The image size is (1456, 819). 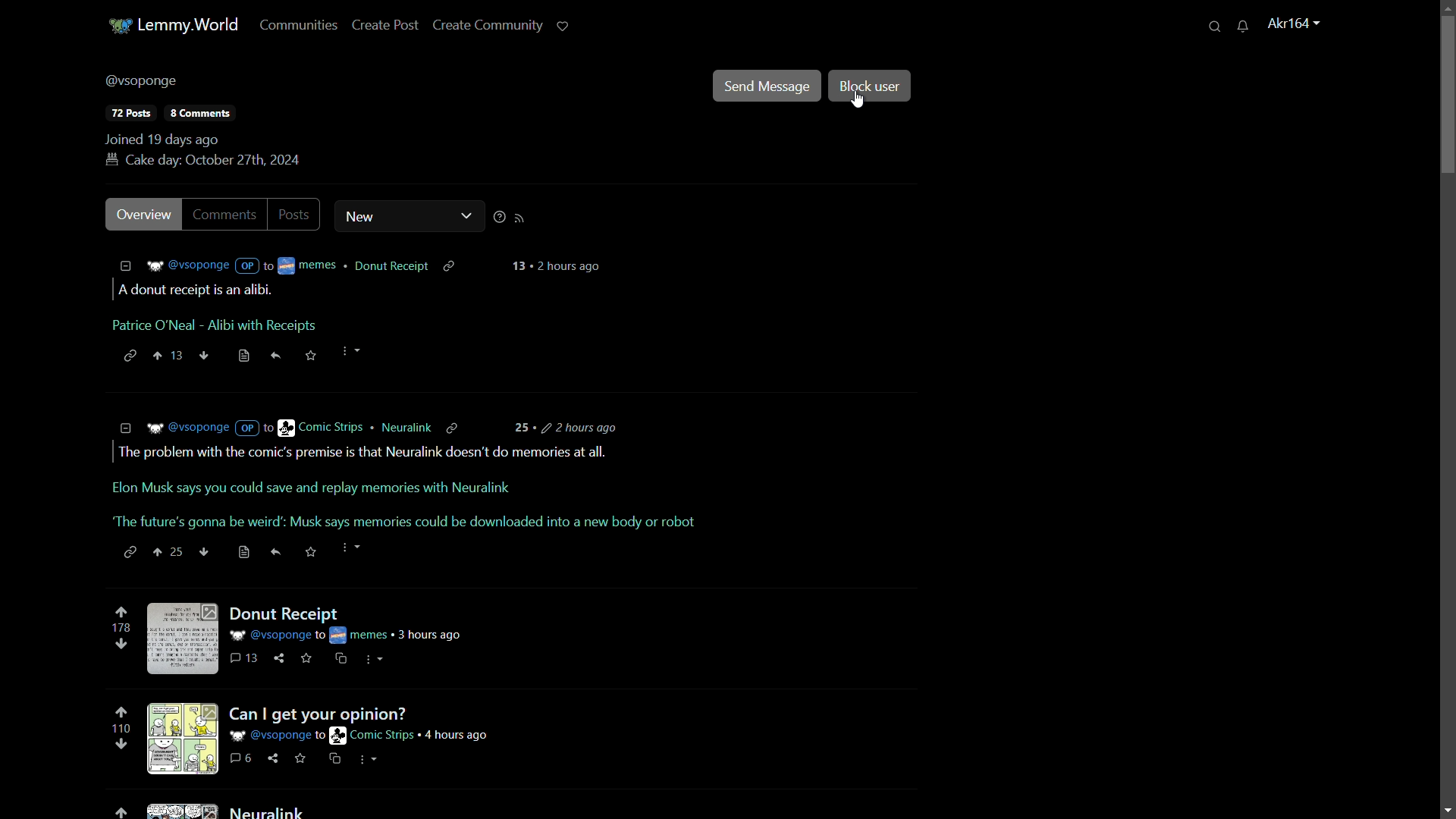 I want to click on downvote, so click(x=121, y=743).